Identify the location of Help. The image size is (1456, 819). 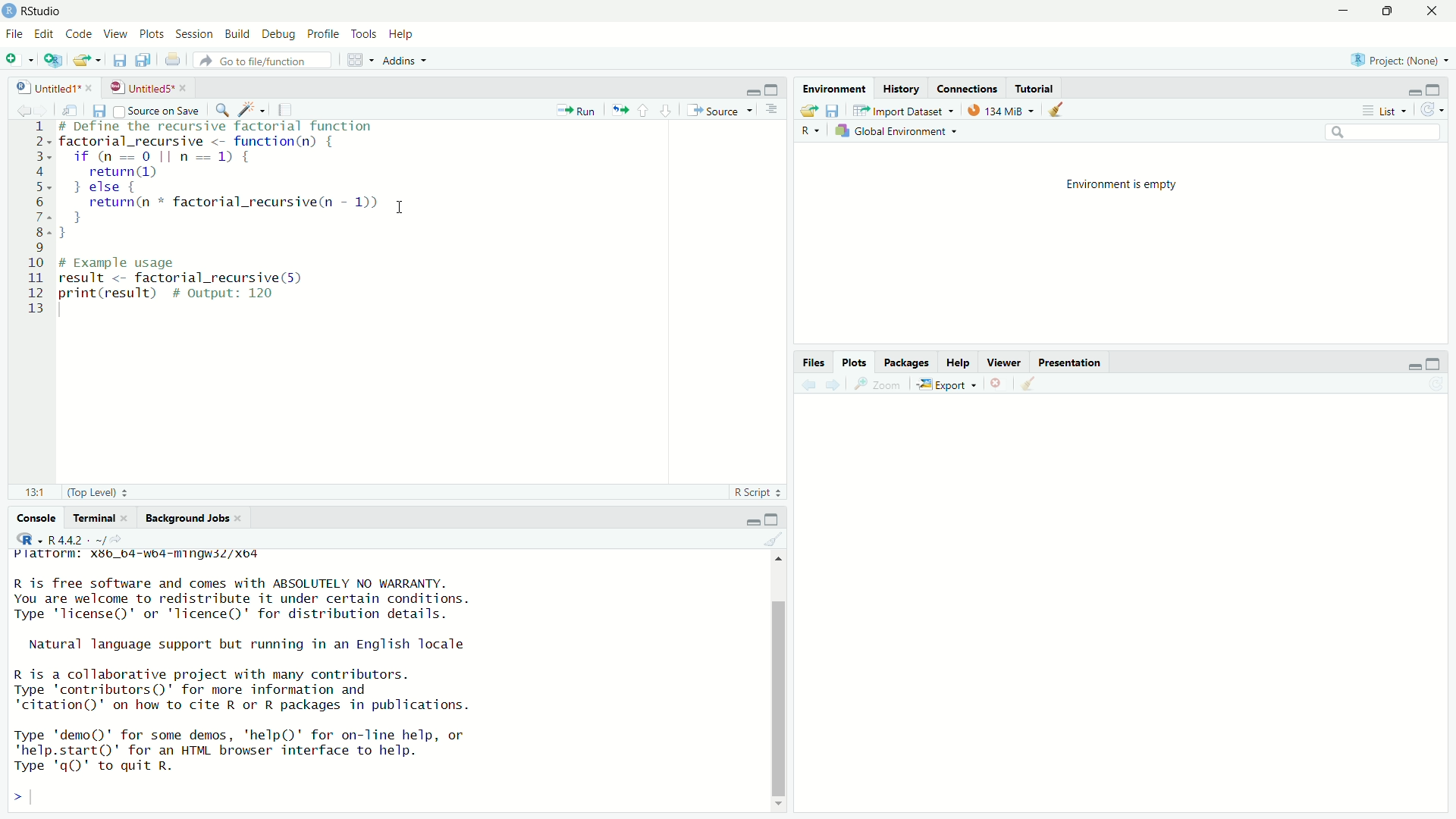
(402, 34).